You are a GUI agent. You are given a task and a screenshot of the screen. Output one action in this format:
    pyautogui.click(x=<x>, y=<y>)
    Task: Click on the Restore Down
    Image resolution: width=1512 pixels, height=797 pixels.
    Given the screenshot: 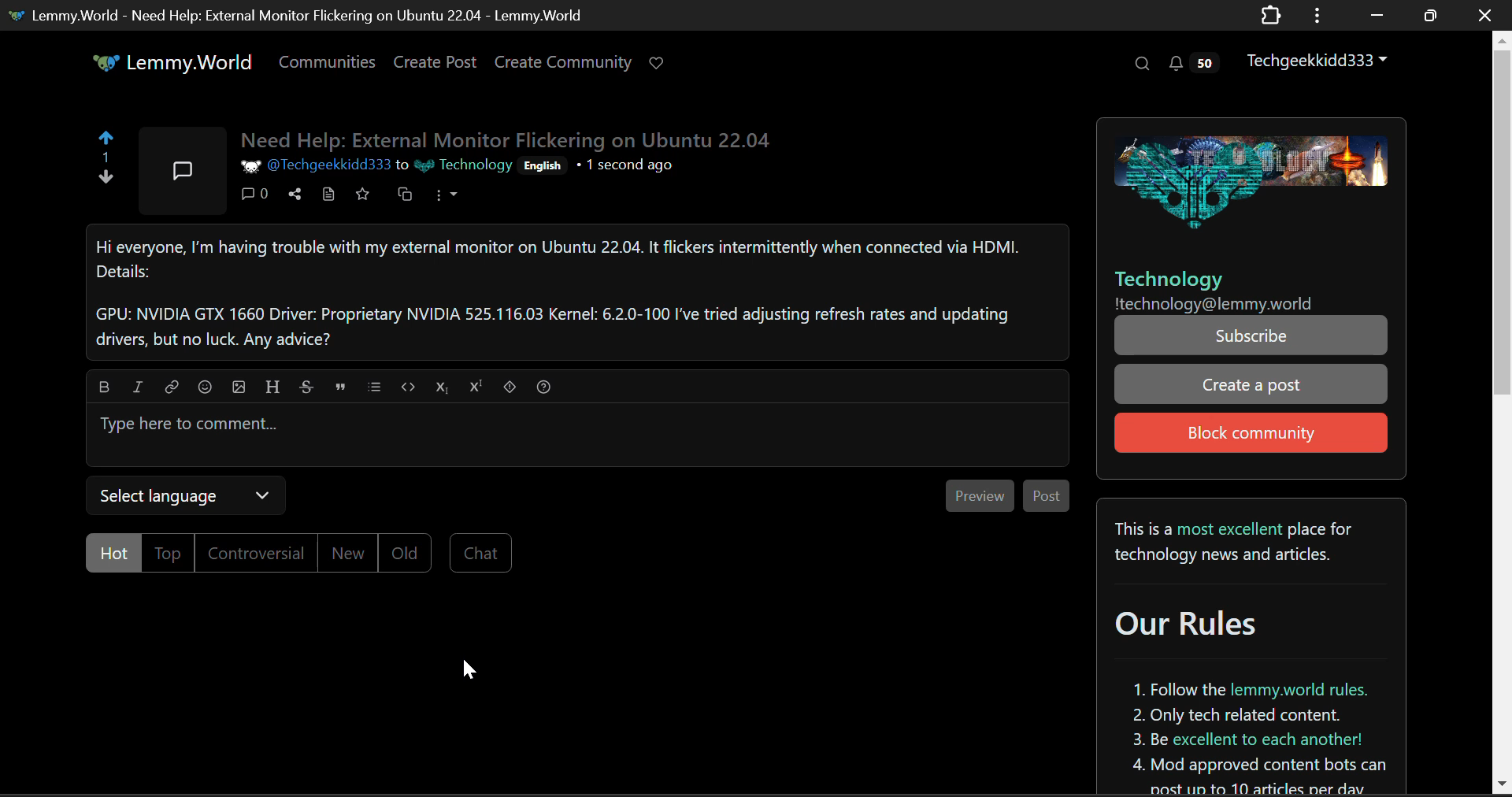 What is the action you would take?
    pyautogui.click(x=1373, y=13)
    